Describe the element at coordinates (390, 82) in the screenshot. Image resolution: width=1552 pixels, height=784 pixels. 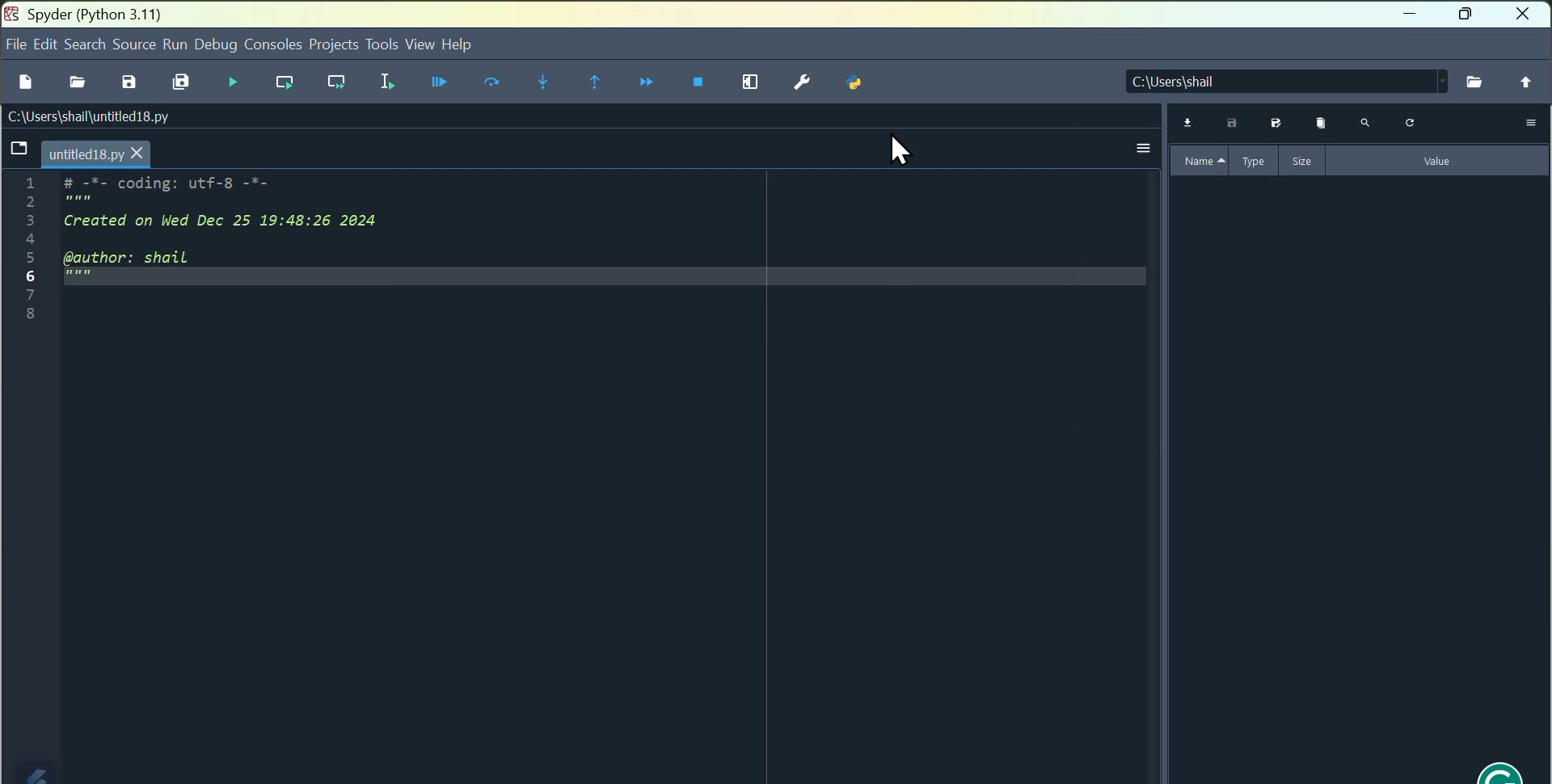
I see `Run selection` at that location.